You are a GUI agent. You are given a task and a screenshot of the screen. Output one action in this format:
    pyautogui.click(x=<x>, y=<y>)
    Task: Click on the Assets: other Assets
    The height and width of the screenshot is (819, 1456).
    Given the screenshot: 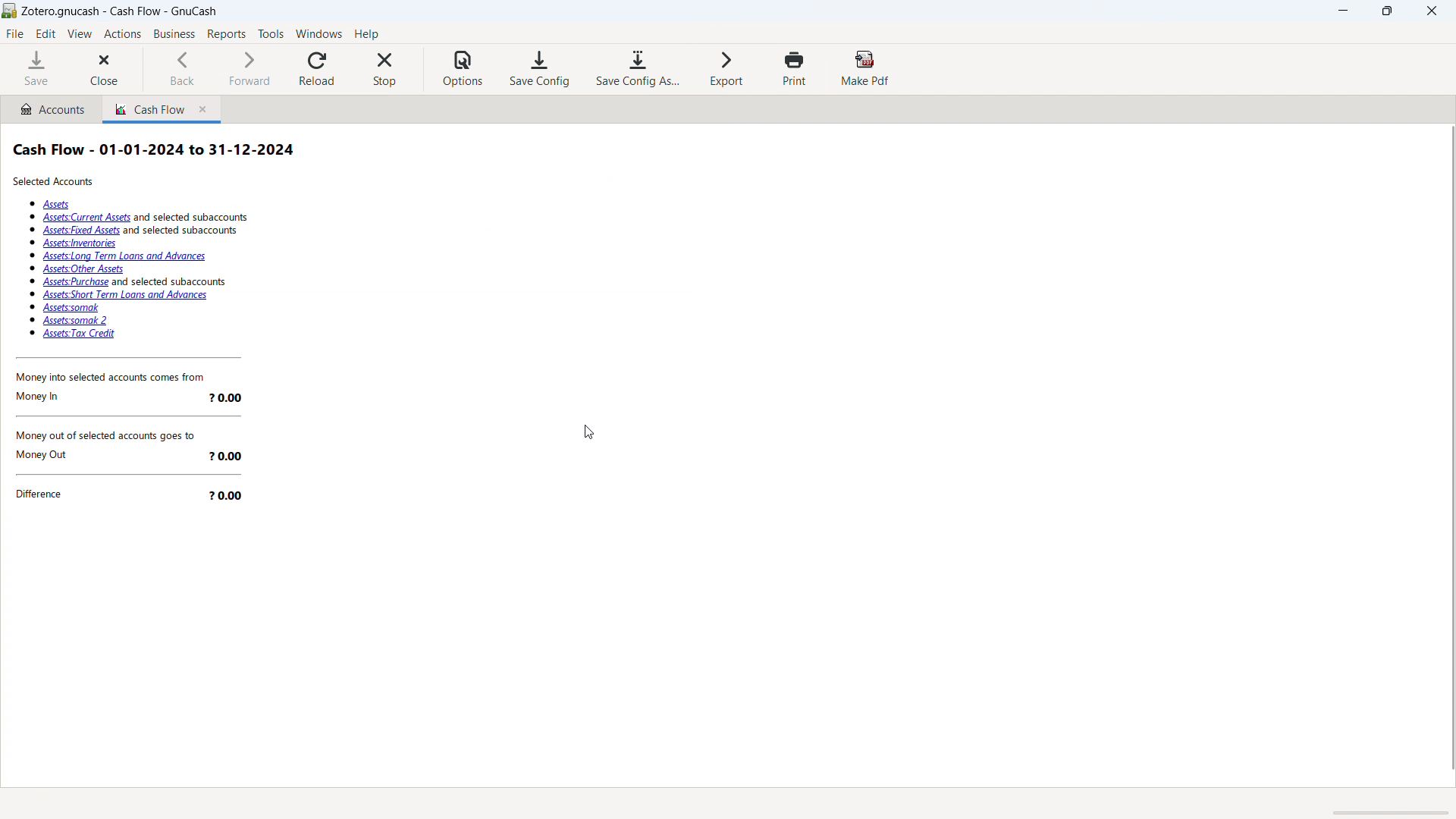 What is the action you would take?
    pyautogui.click(x=83, y=270)
    